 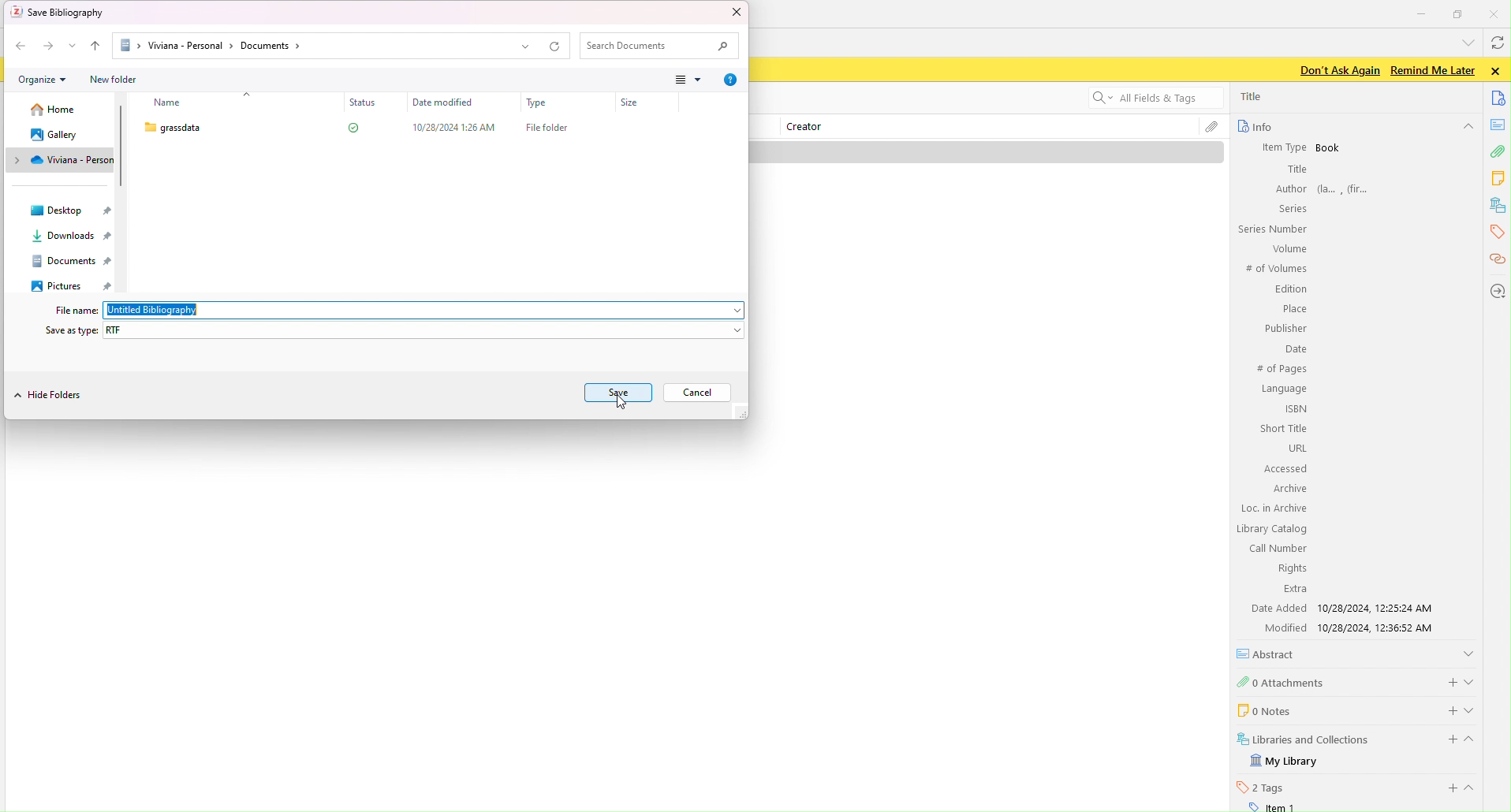 What do you see at coordinates (73, 286) in the screenshot?
I see `Pictures` at bounding box center [73, 286].